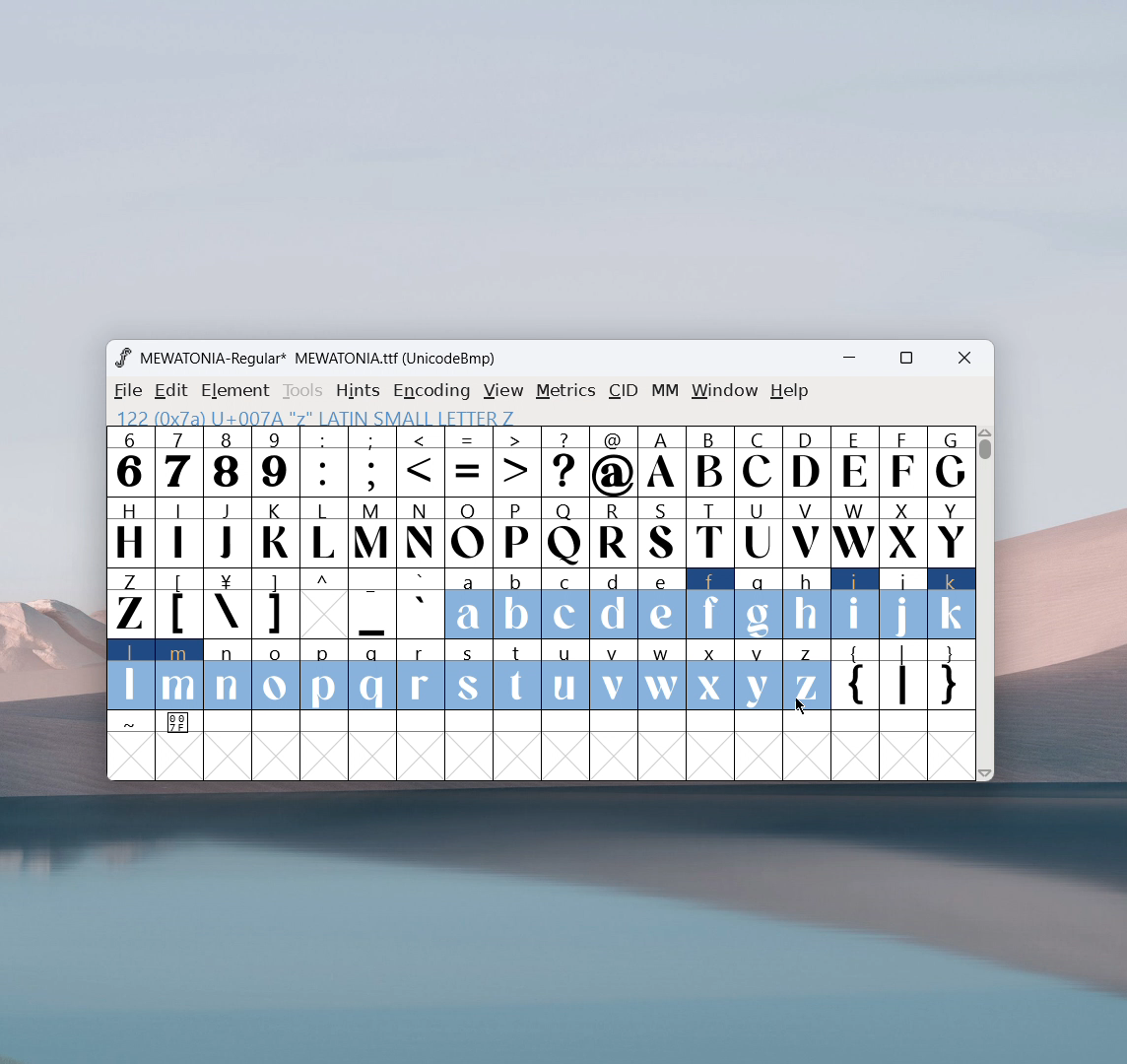  What do you see at coordinates (372, 462) in the screenshot?
I see `;` at bounding box center [372, 462].